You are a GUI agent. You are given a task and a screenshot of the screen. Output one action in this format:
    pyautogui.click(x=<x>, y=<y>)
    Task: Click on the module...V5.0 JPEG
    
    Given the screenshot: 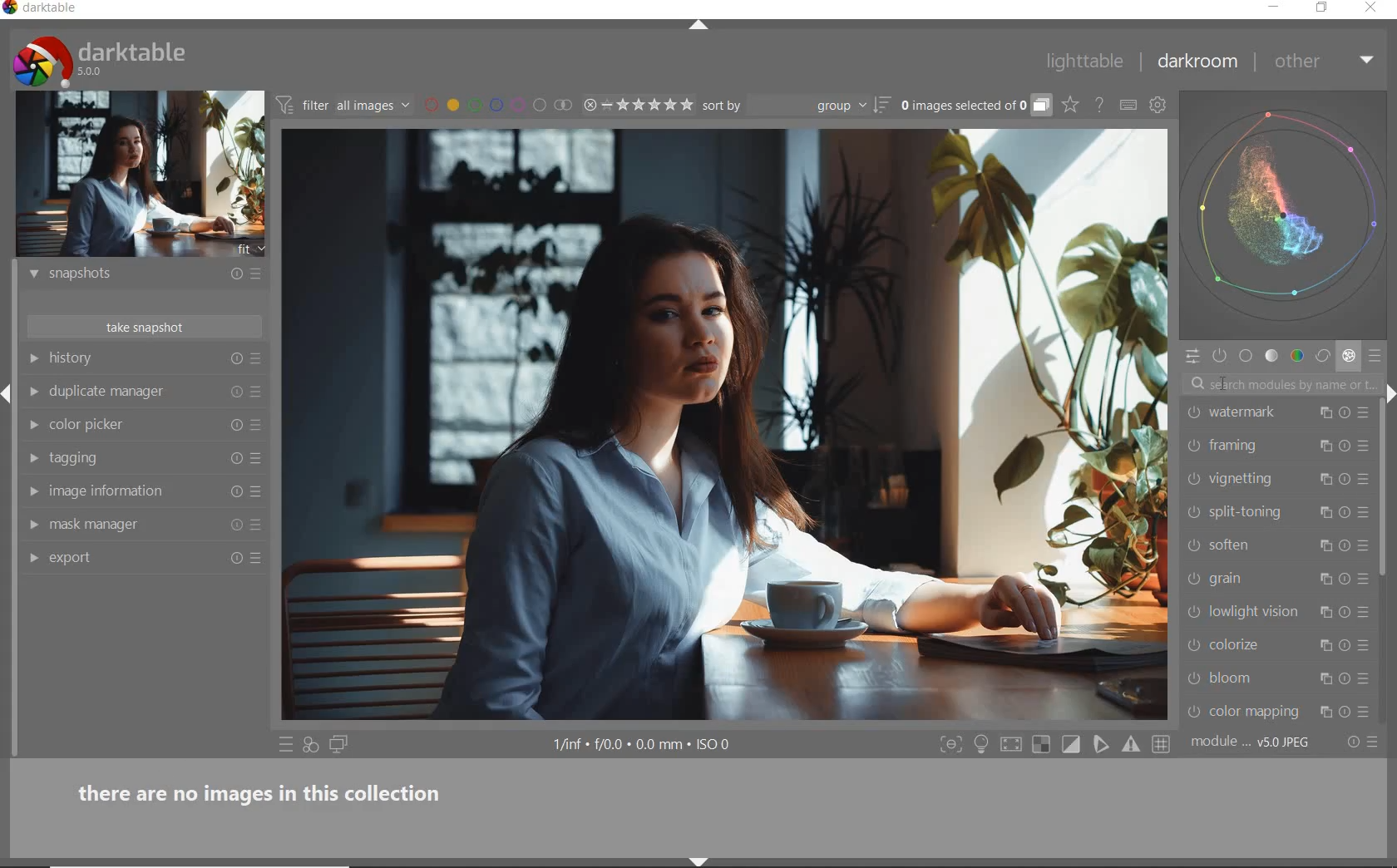 What is the action you would take?
    pyautogui.click(x=1251, y=742)
    